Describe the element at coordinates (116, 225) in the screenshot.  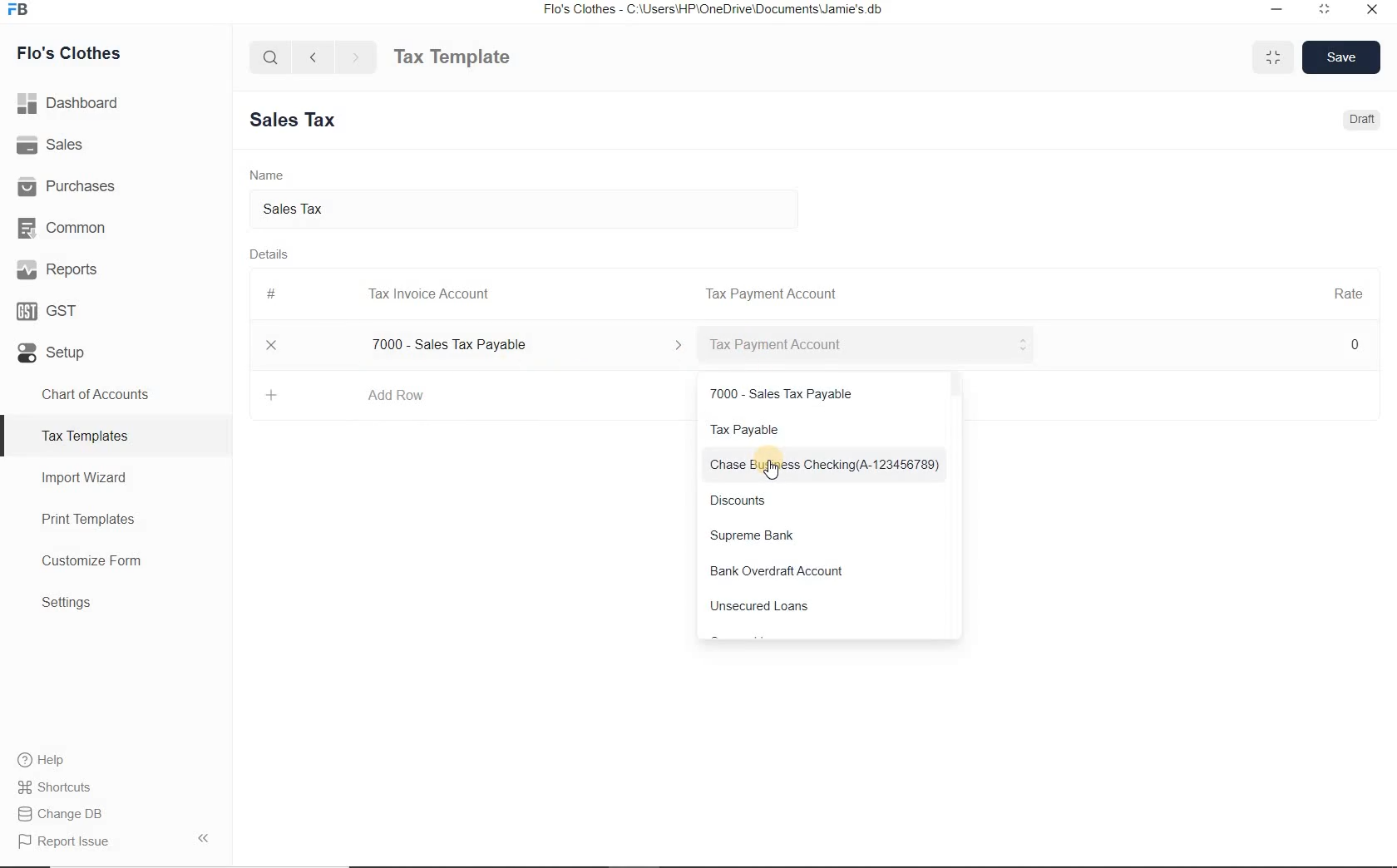
I see `Common` at that location.